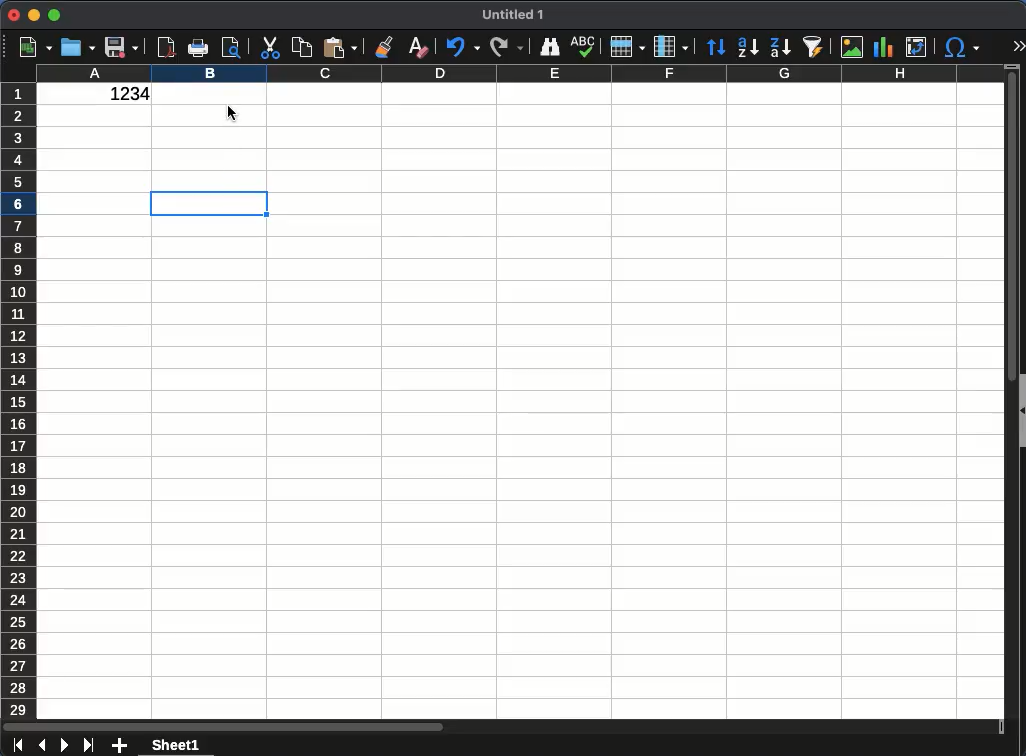 The height and width of the screenshot is (756, 1026). What do you see at coordinates (918, 47) in the screenshot?
I see `pivot table` at bounding box center [918, 47].